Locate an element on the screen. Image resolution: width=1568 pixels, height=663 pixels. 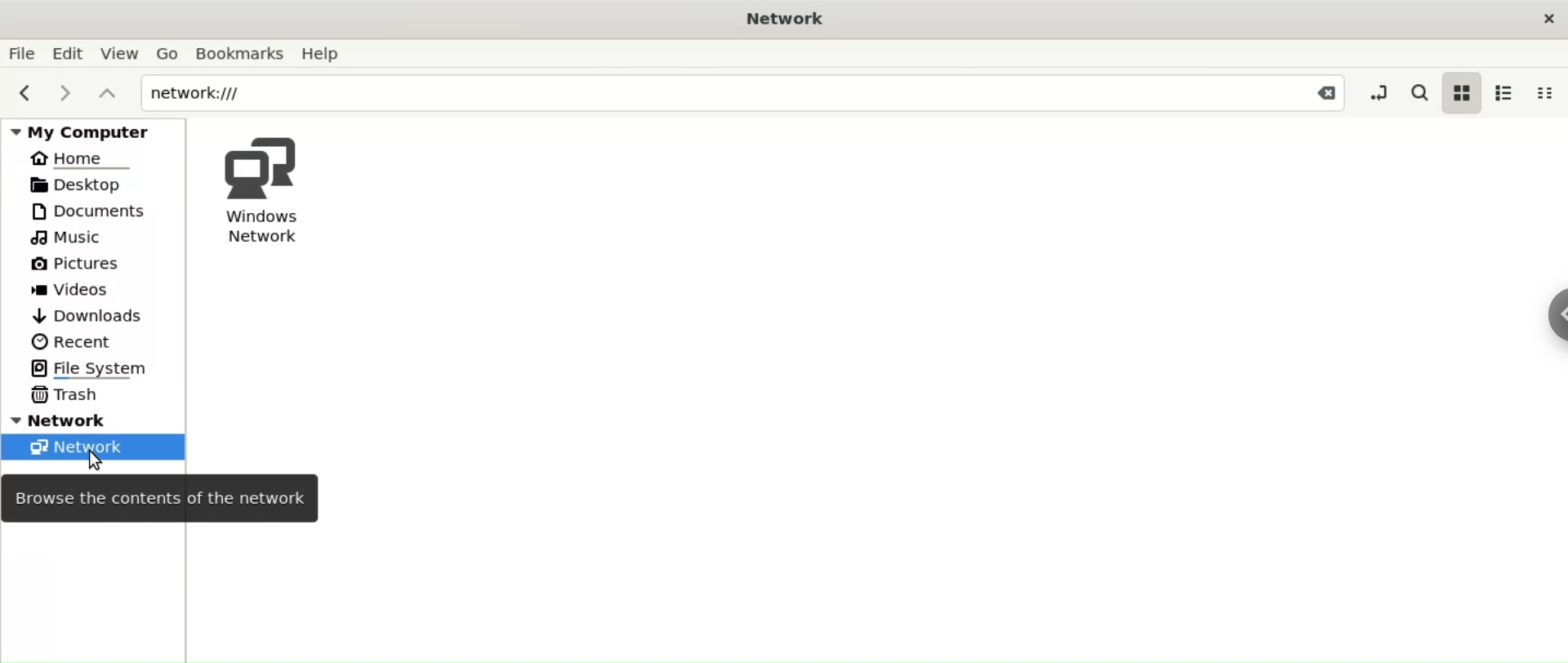
parent folders is located at coordinates (105, 91).